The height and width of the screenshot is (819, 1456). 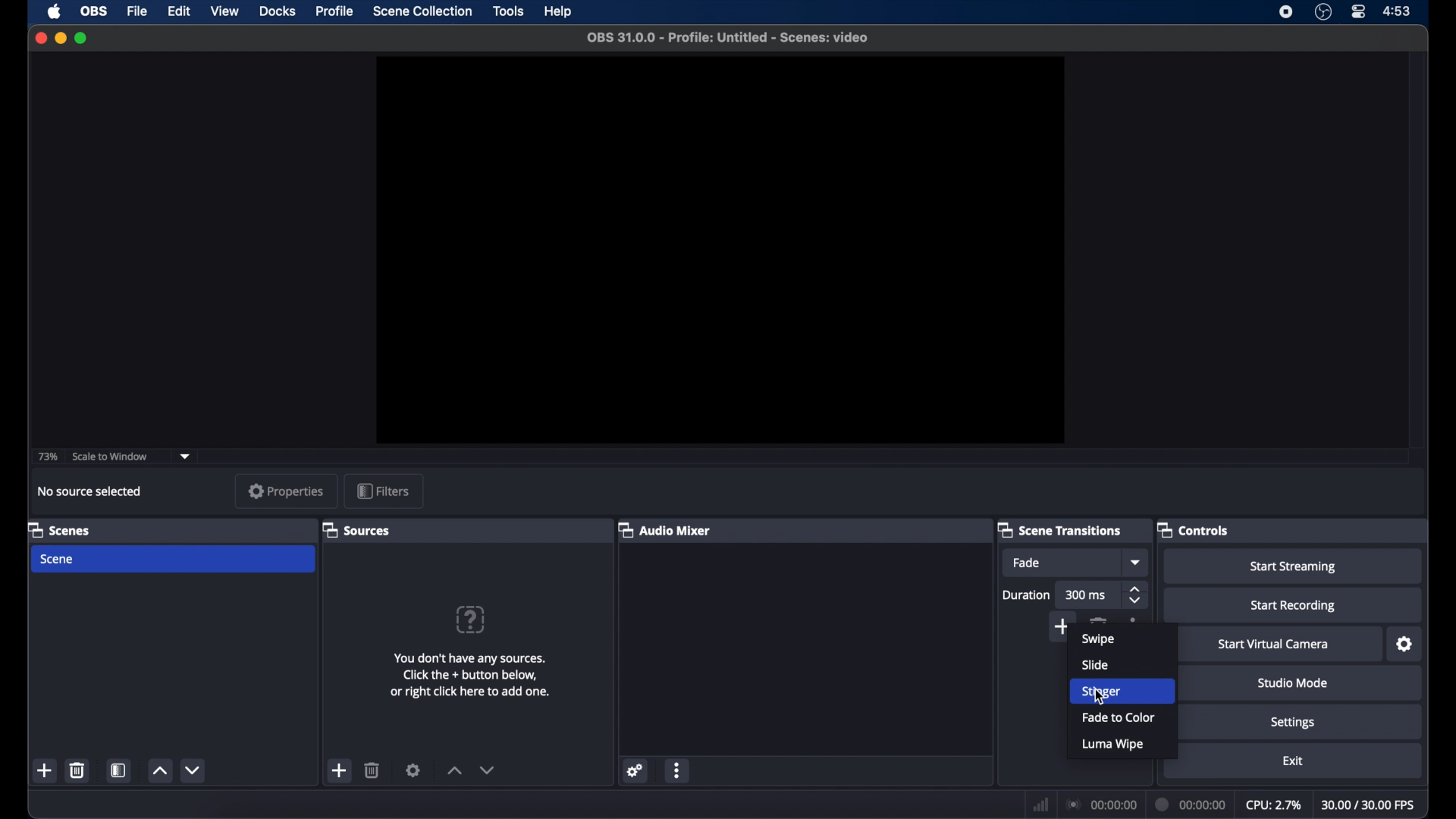 What do you see at coordinates (1100, 804) in the screenshot?
I see `connection` at bounding box center [1100, 804].